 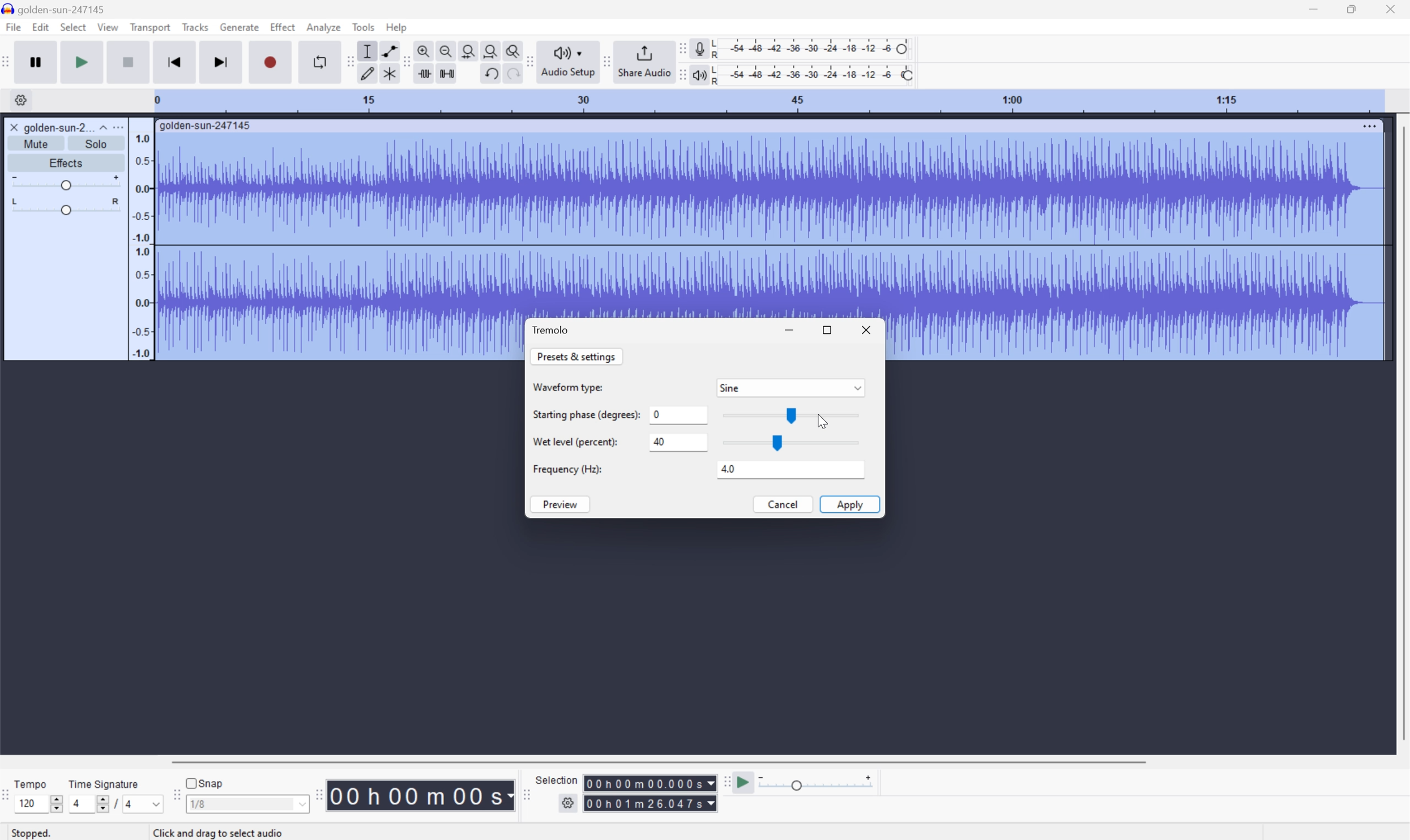 I want to click on Selection, so click(x=556, y=779).